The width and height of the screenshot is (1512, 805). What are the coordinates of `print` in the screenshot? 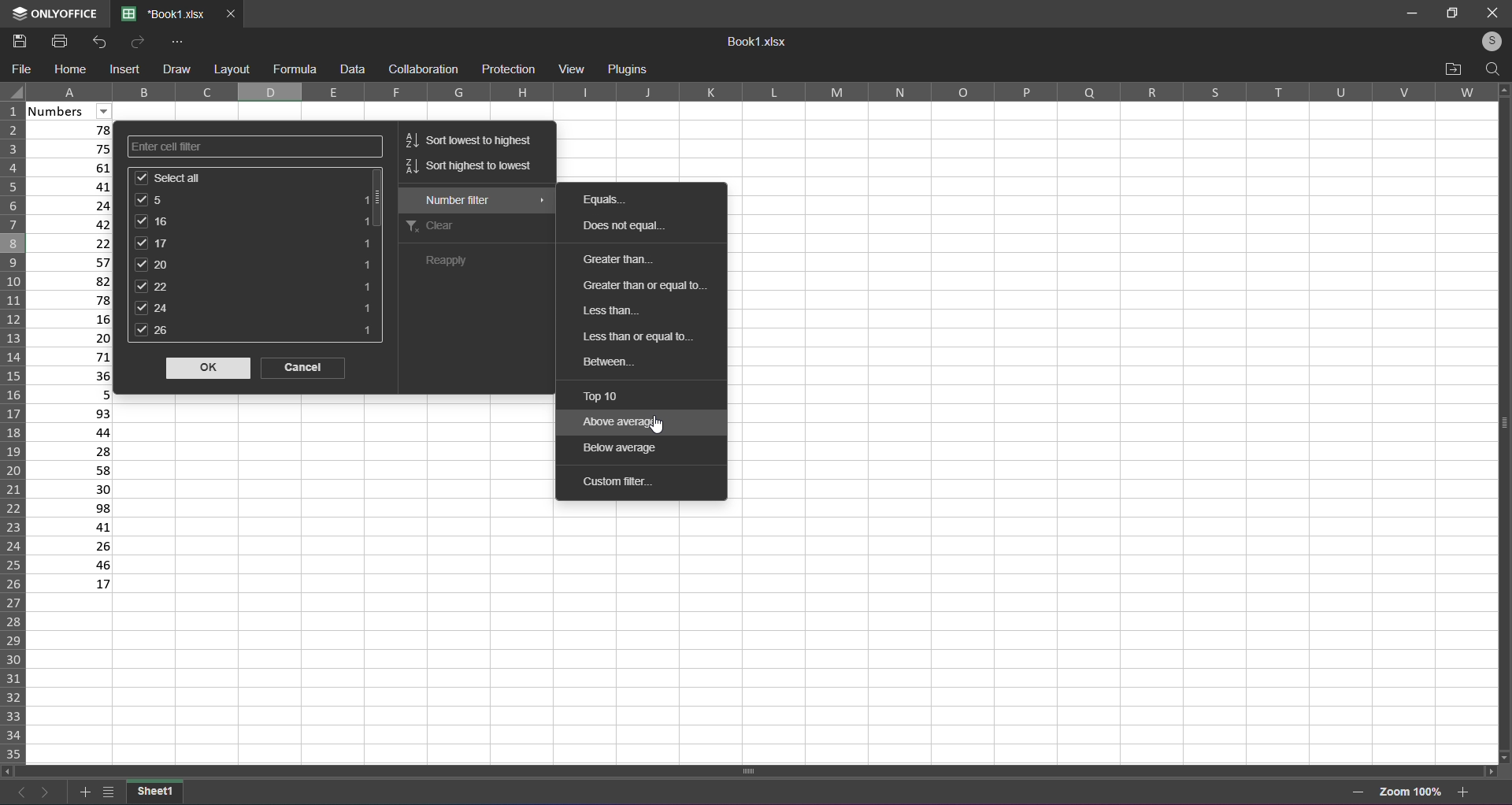 It's located at (57, 41).